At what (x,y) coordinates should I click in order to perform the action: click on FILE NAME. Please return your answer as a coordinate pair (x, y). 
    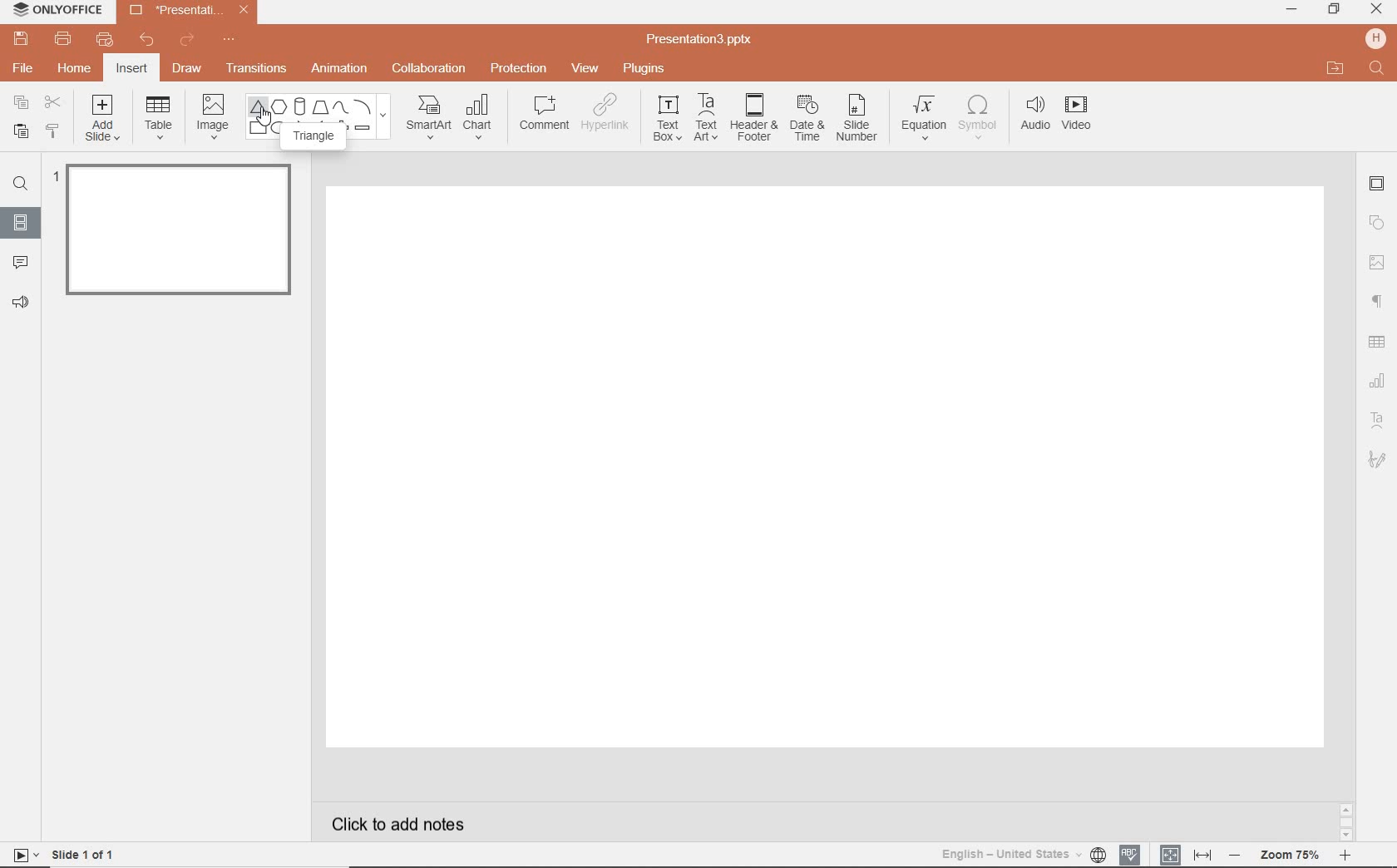
    Looking at the image, I should click on (702, 40).